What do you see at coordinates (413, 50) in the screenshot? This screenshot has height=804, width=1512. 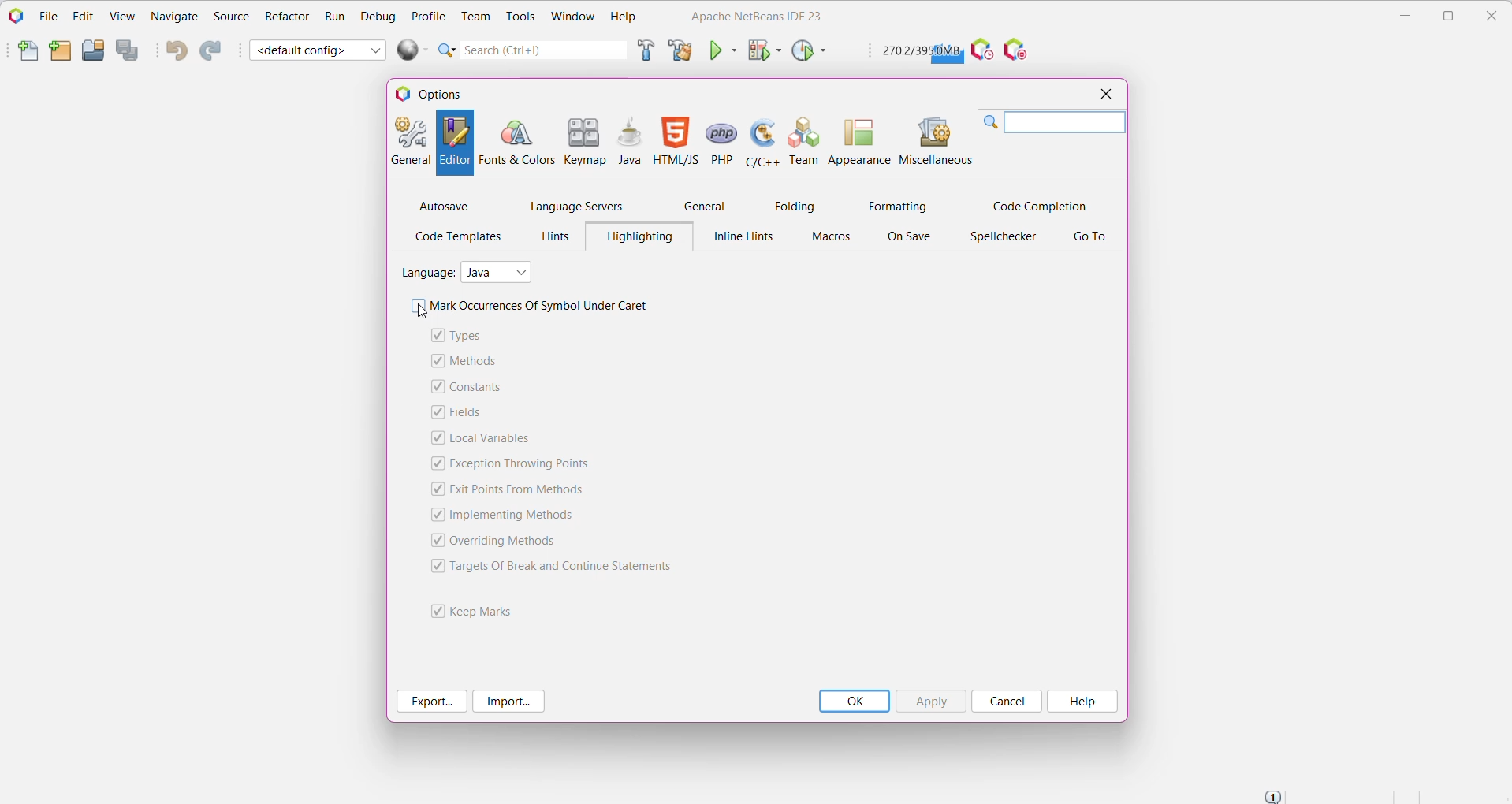 I see `Run All` at bounding box center [413, 50].